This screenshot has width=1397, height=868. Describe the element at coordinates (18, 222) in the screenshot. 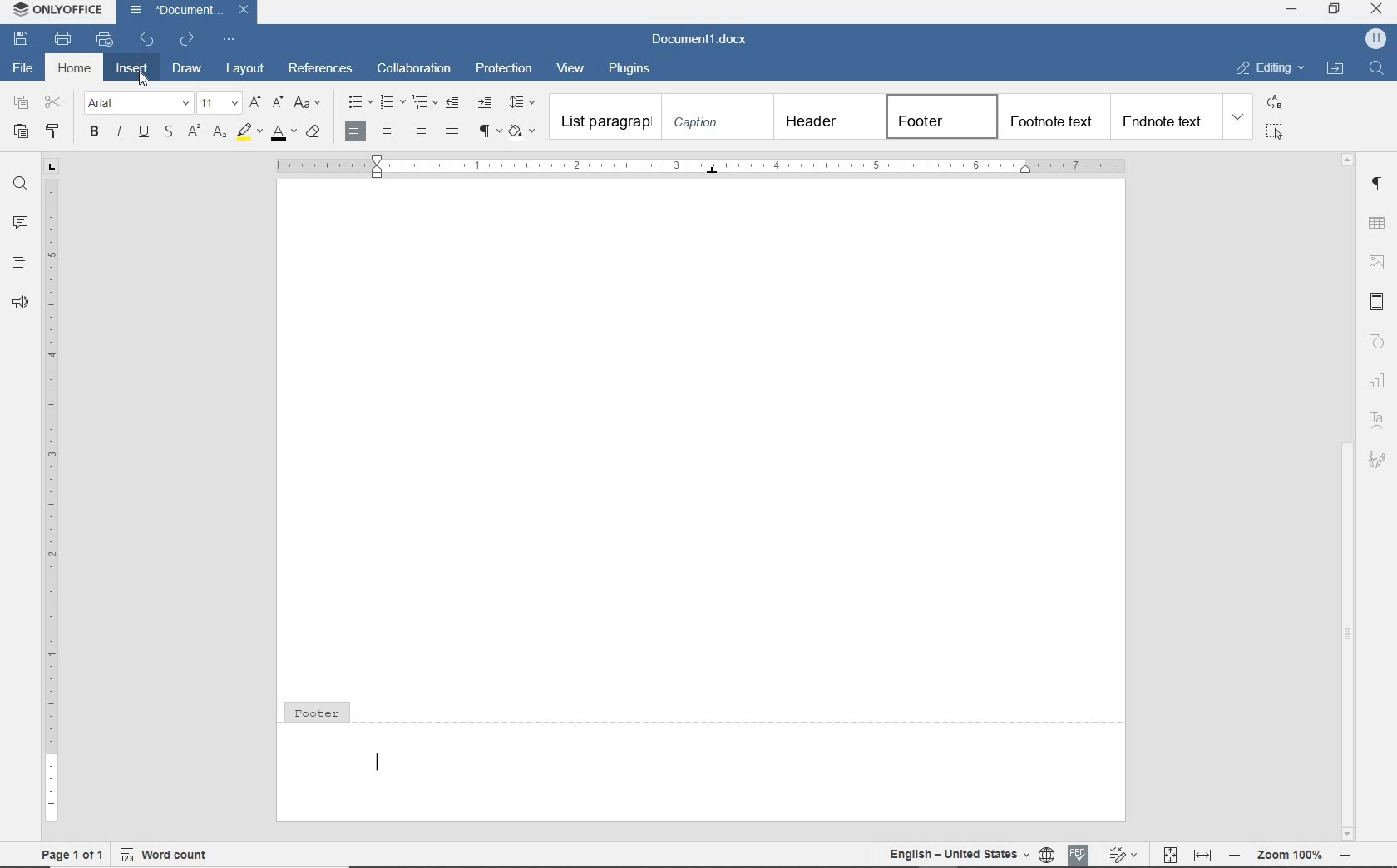

I see `comments` at that location.